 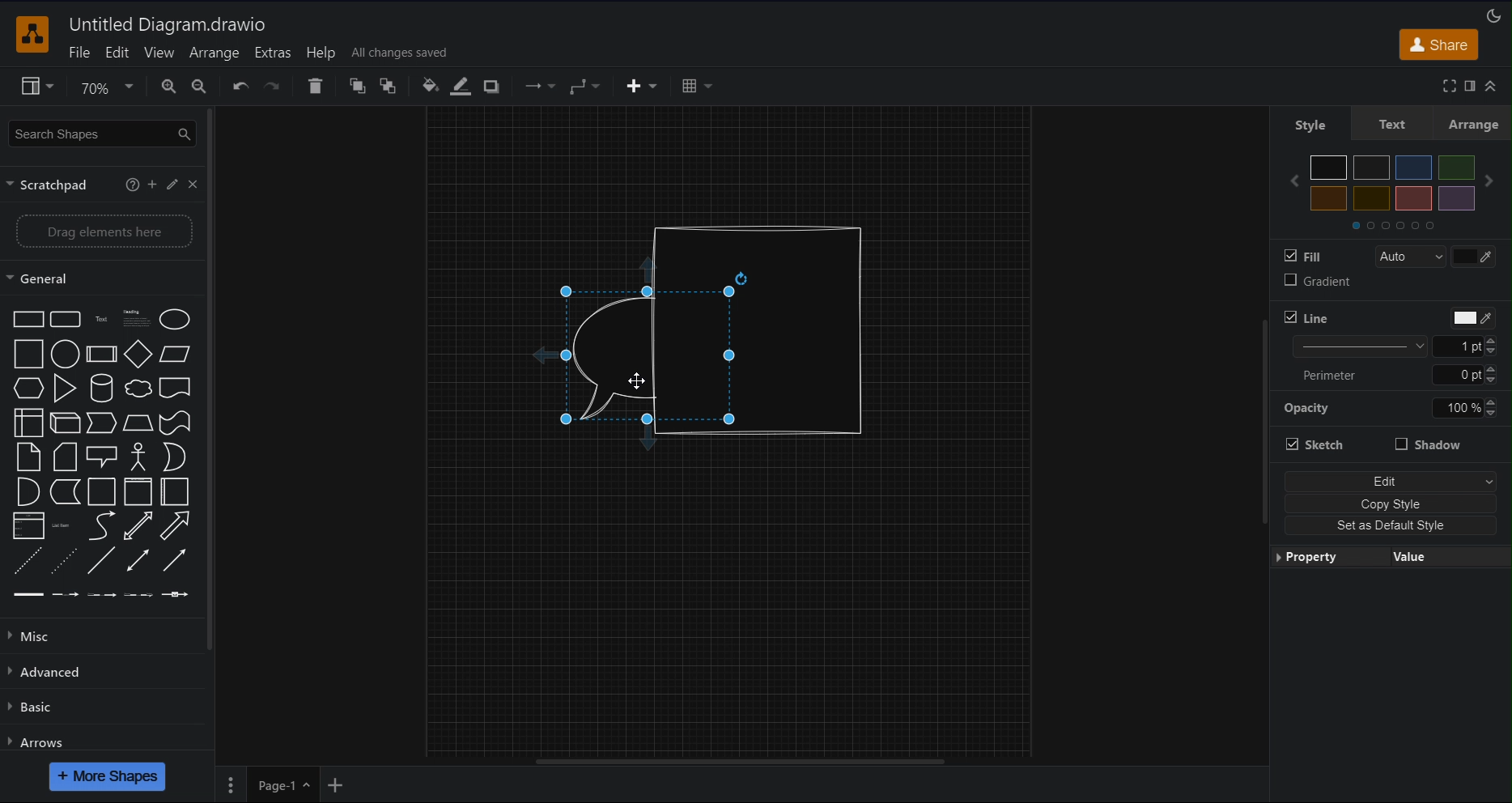 I want to click on Increase/Decrease line thickness, so click(x=1491, y=346).